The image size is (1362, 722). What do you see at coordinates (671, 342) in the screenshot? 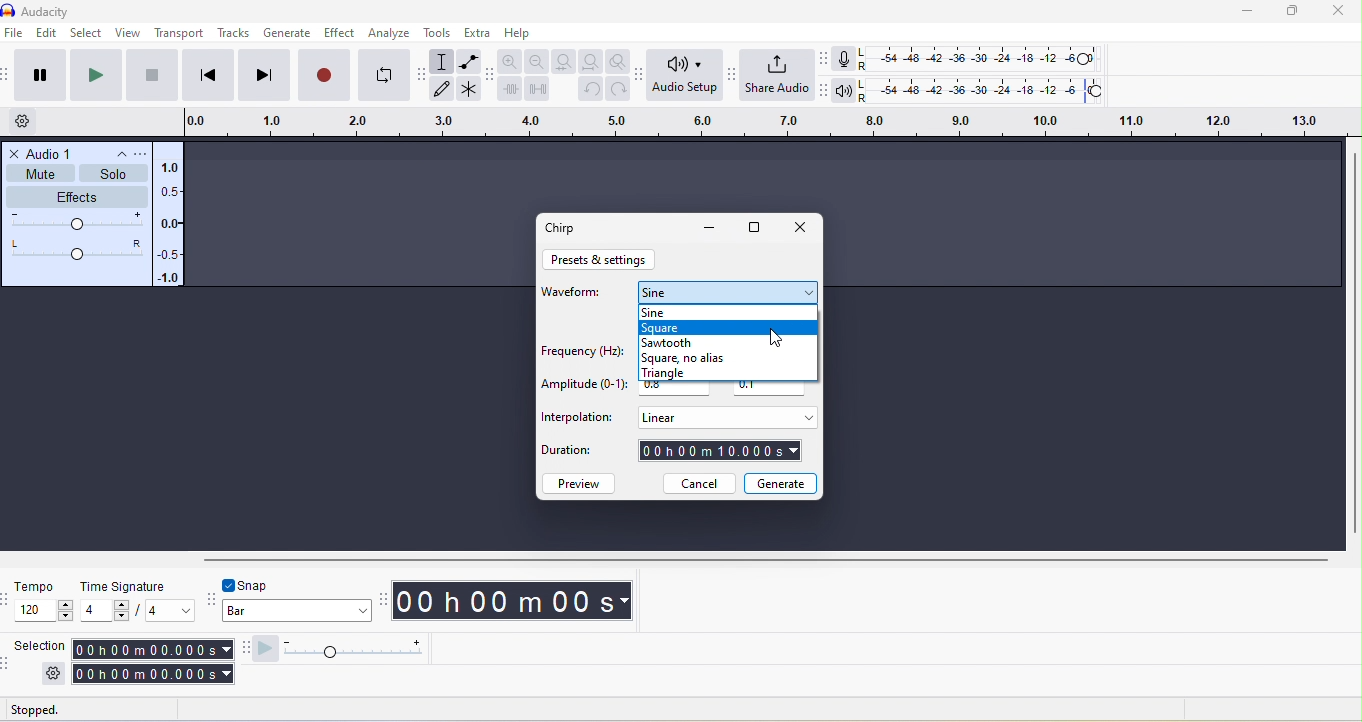
I see `sawtooth` at bounding box center [671, 342].